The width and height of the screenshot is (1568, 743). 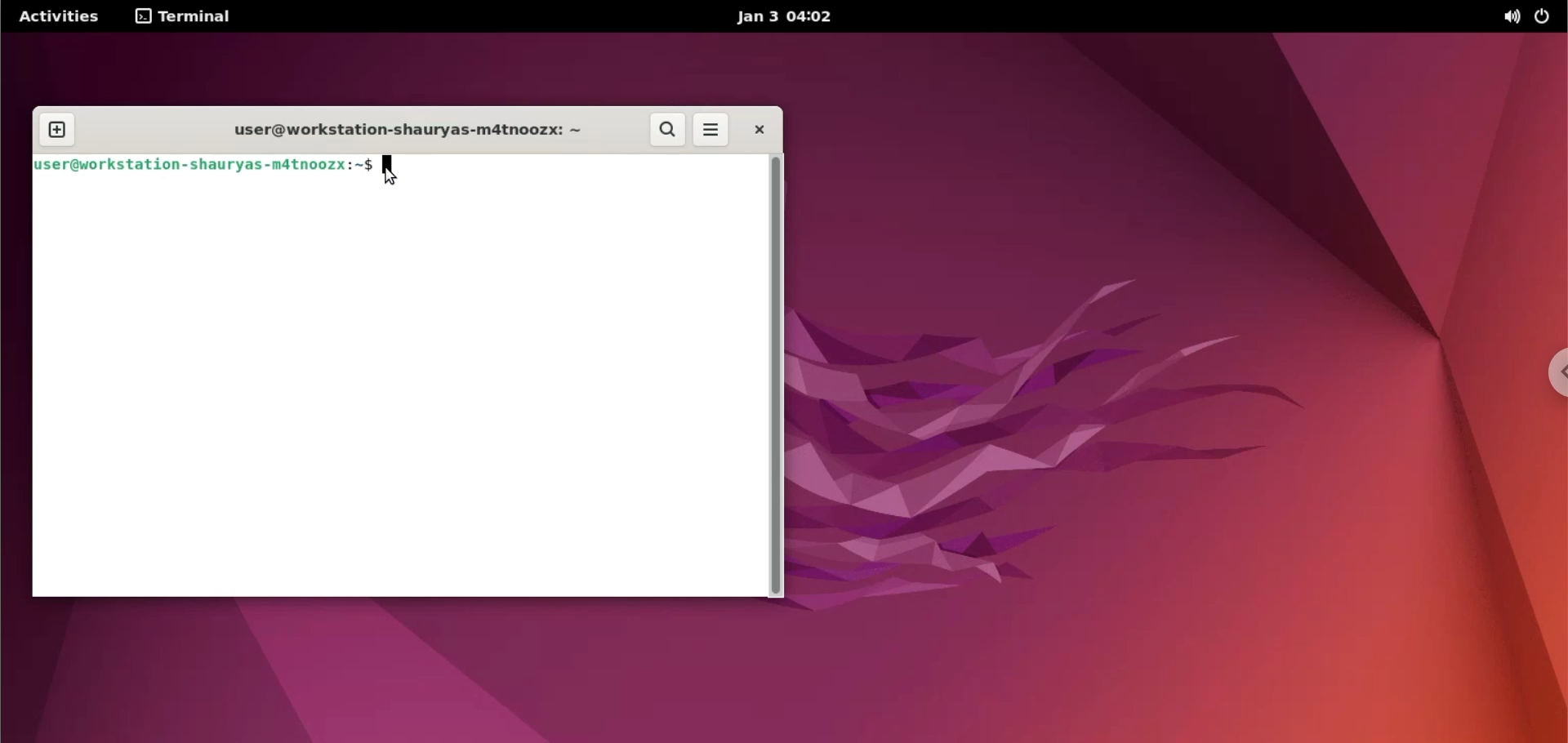 What do you see at coordinates (761, 130) in the screenshot?
I see `close` at bounding box center [761, 130].